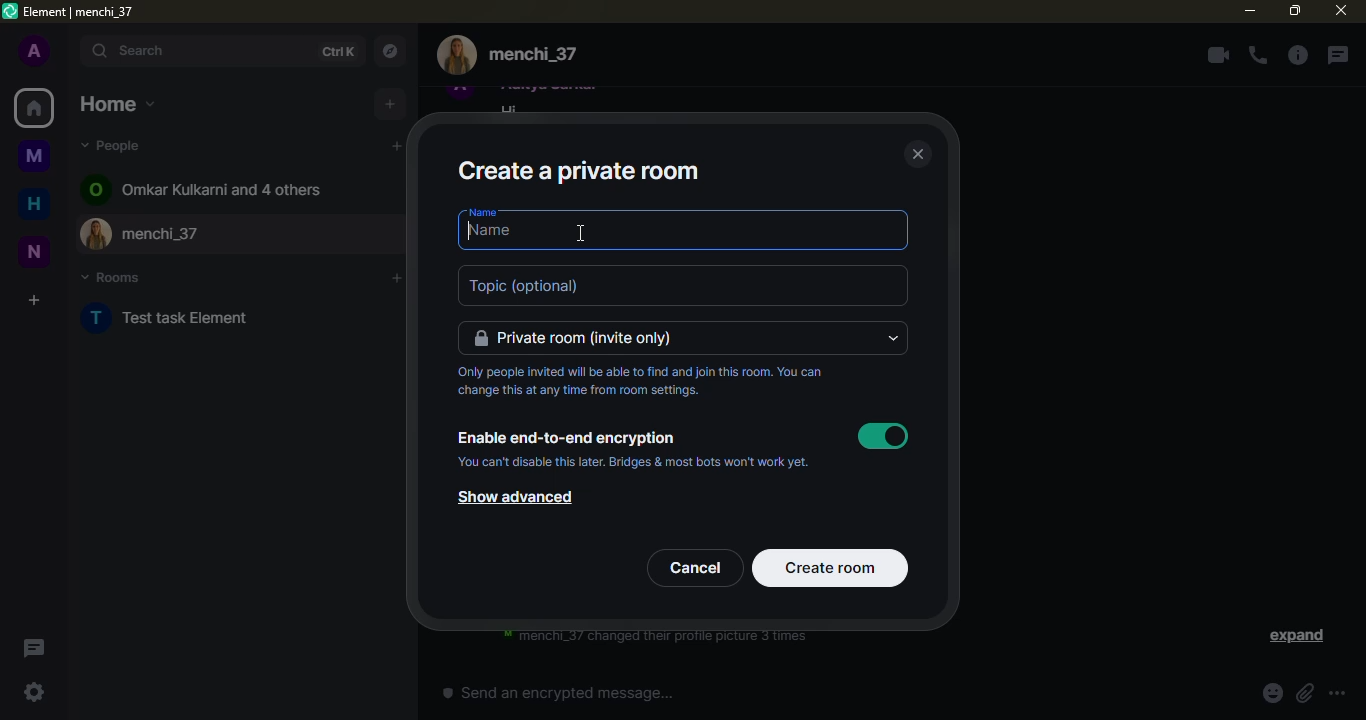  What do you see at coordinates (35, 50) in the screenshot?
I see `profile initial` at bounding box center [35, 50].